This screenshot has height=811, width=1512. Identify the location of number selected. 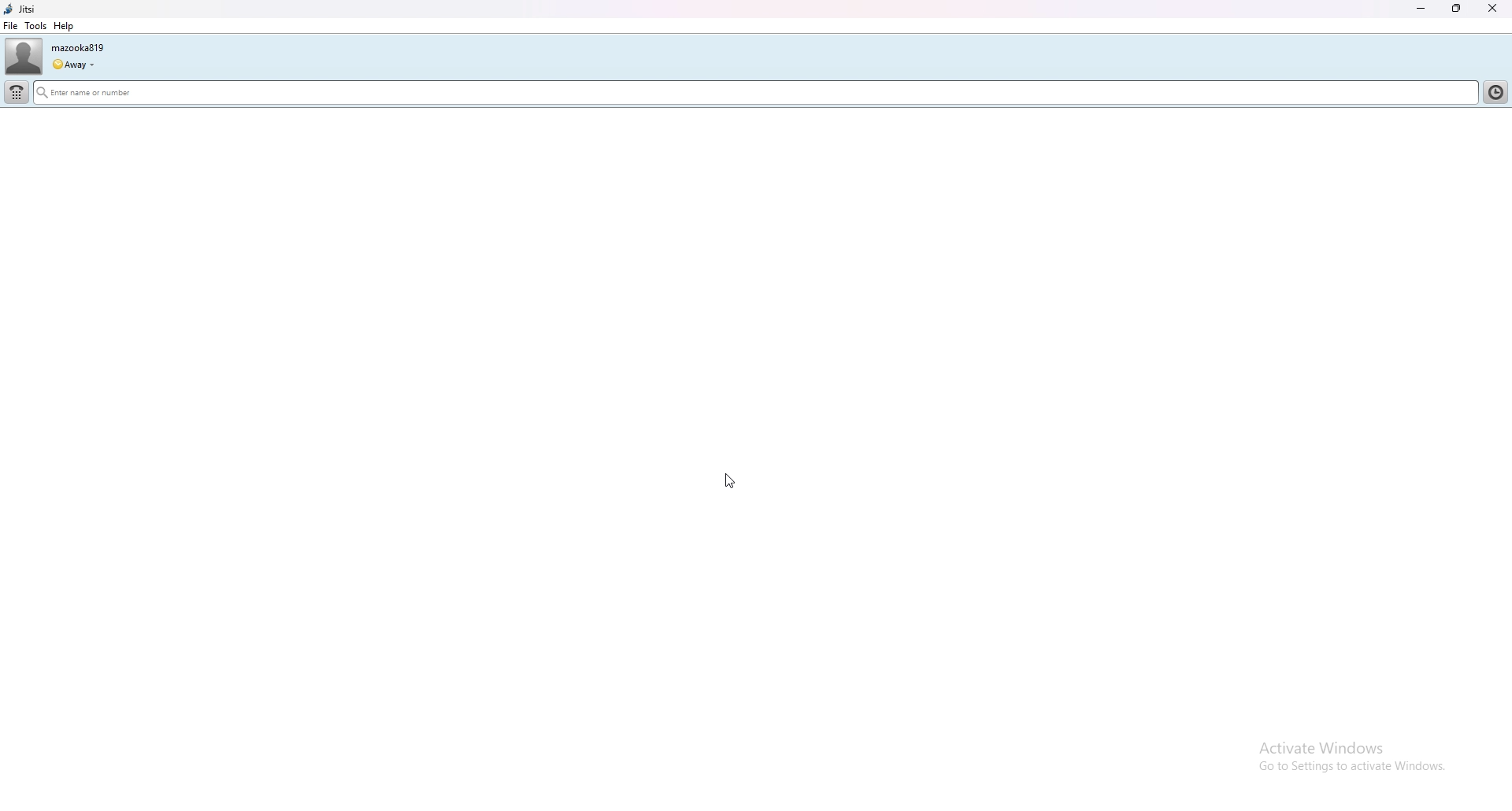
(1499, 117).